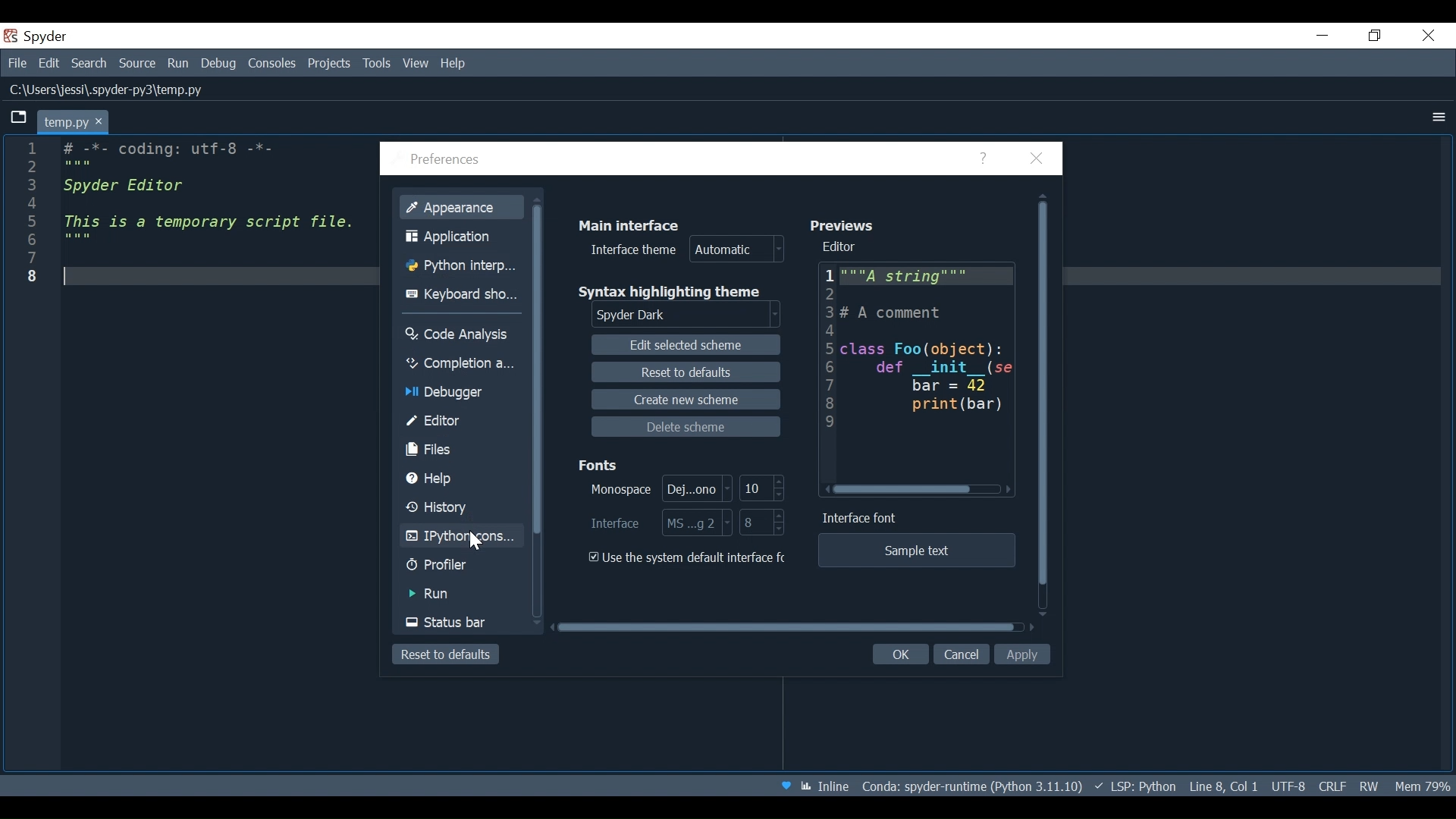 This screenshot has height=819, width=1456. I want to click on Vertical Scroll bar, so click(536, 366).